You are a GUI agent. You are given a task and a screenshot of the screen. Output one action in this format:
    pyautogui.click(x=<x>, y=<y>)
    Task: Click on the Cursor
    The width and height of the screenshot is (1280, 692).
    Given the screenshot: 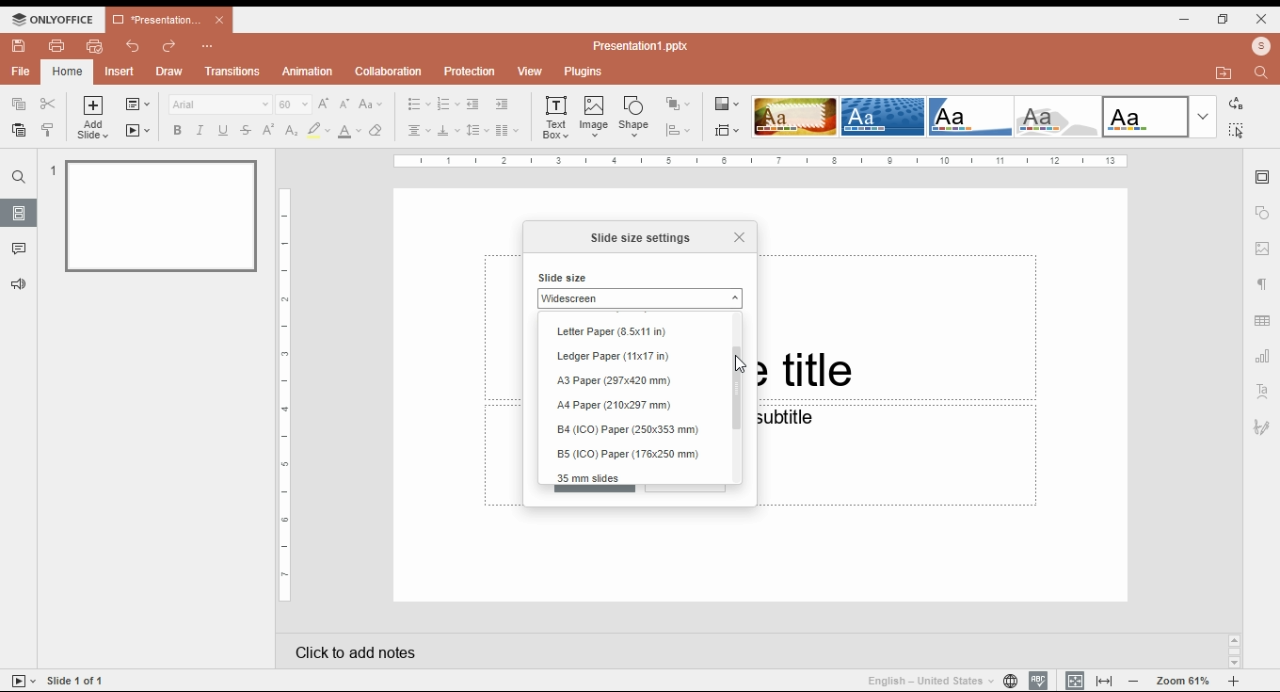 What is the action you would take?
    pyautogui.click(x=738, y=365)
    